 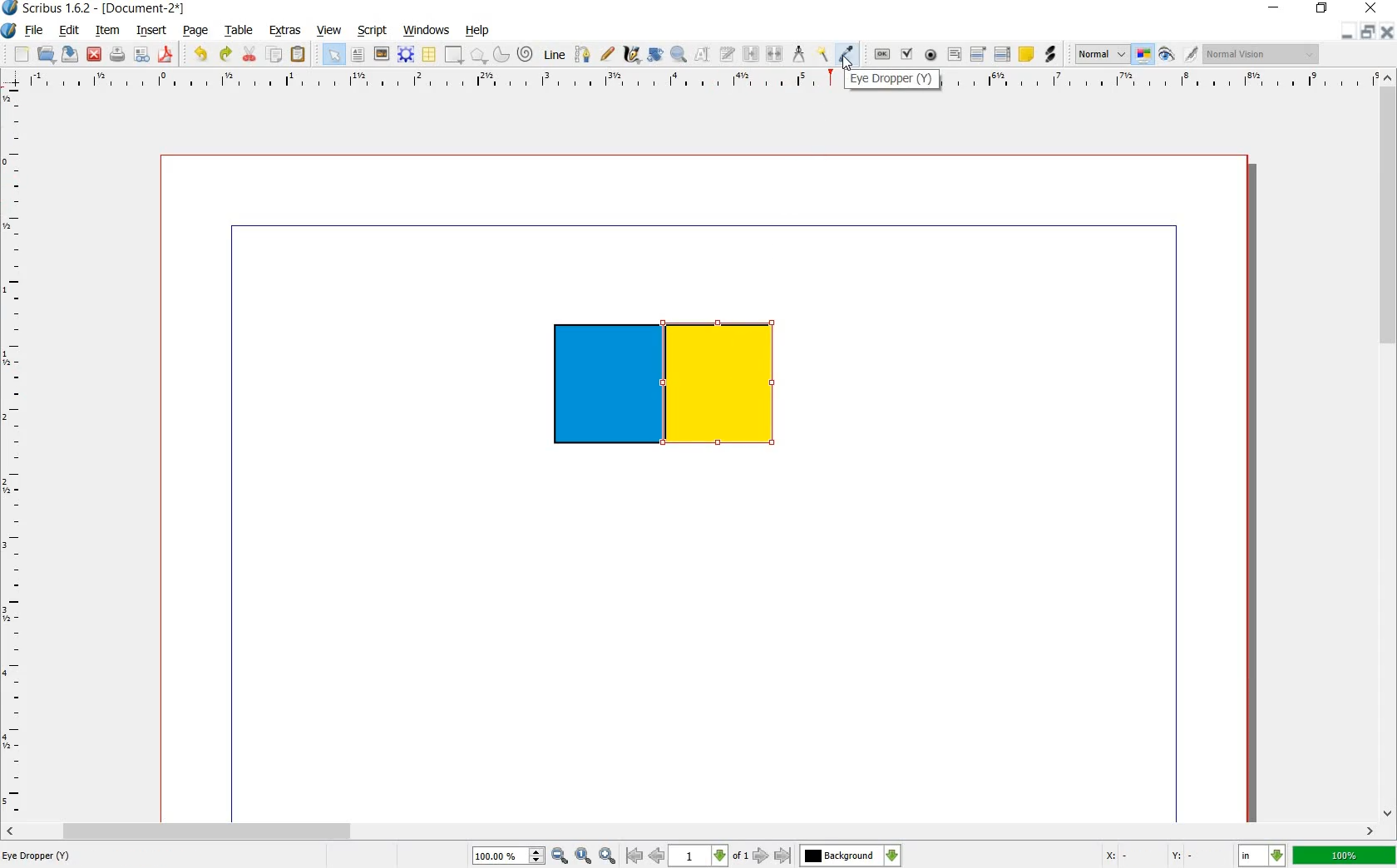 I want to click on save as a pdf, so click(x=165, y=55).